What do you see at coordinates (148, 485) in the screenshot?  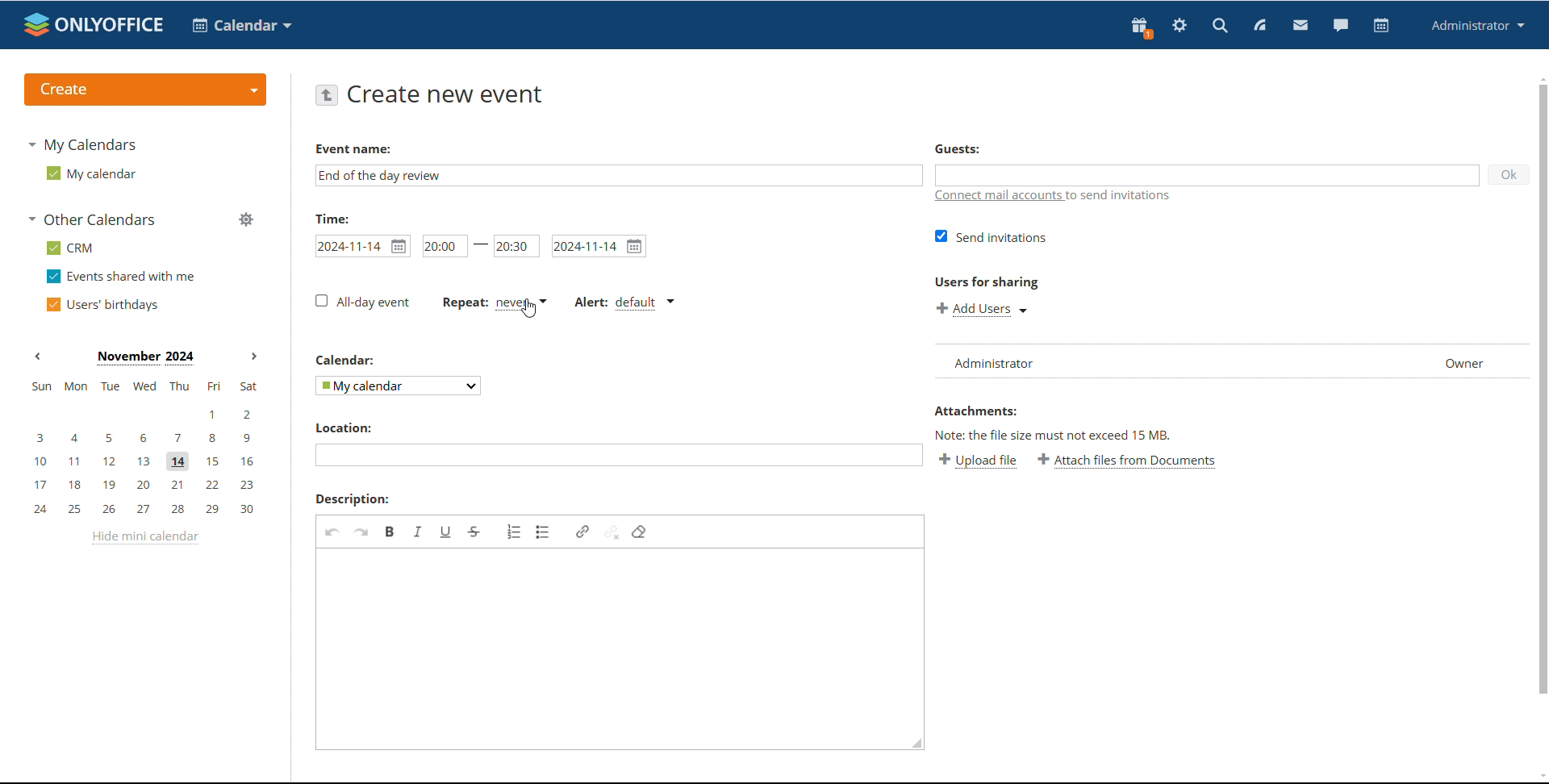 I see `17, 18, 19, 20, 21, 22, 23` at bounding box center [148, 485].